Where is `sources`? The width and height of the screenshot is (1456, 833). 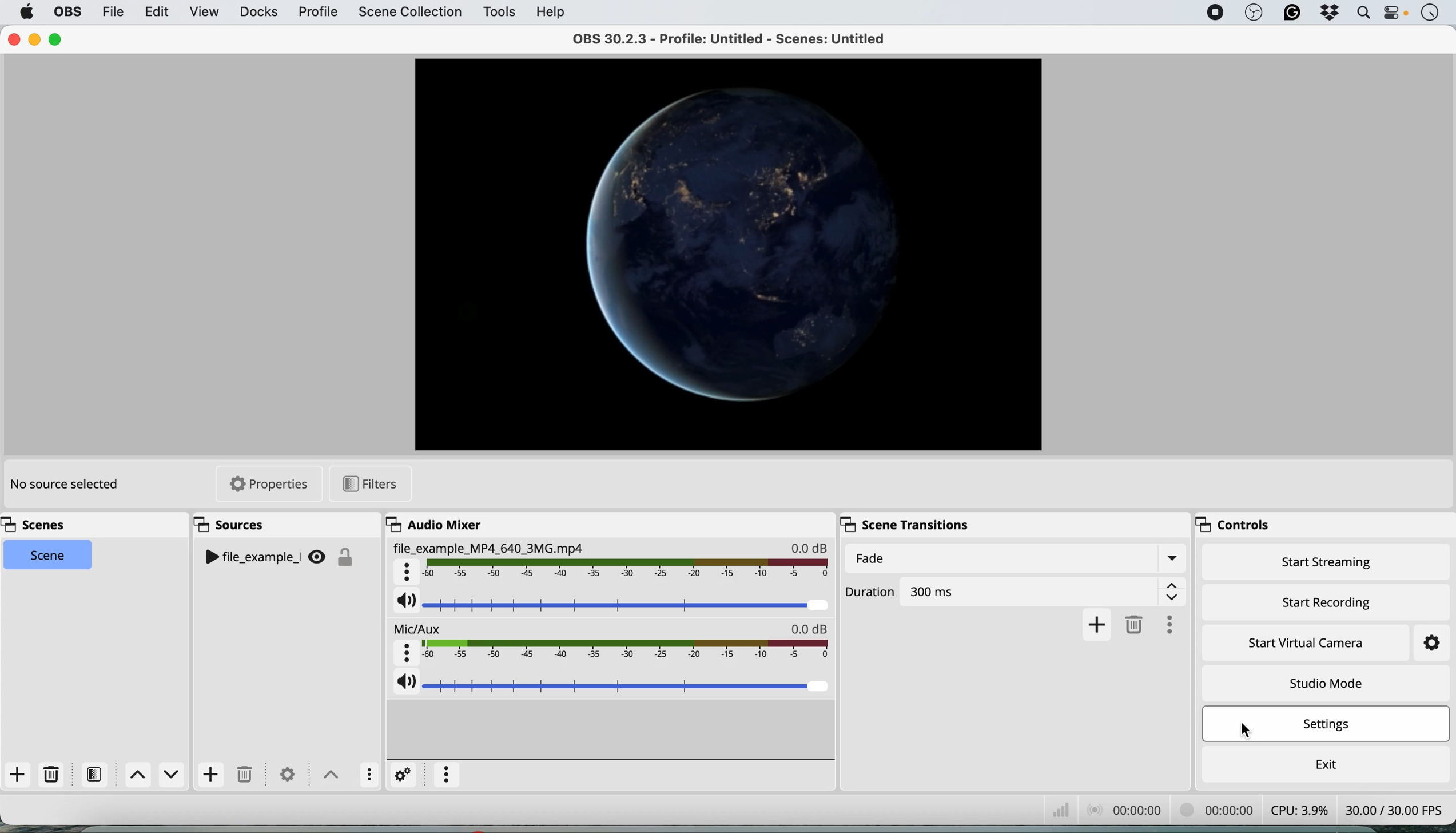 sources is located at coordinates (235, 525).